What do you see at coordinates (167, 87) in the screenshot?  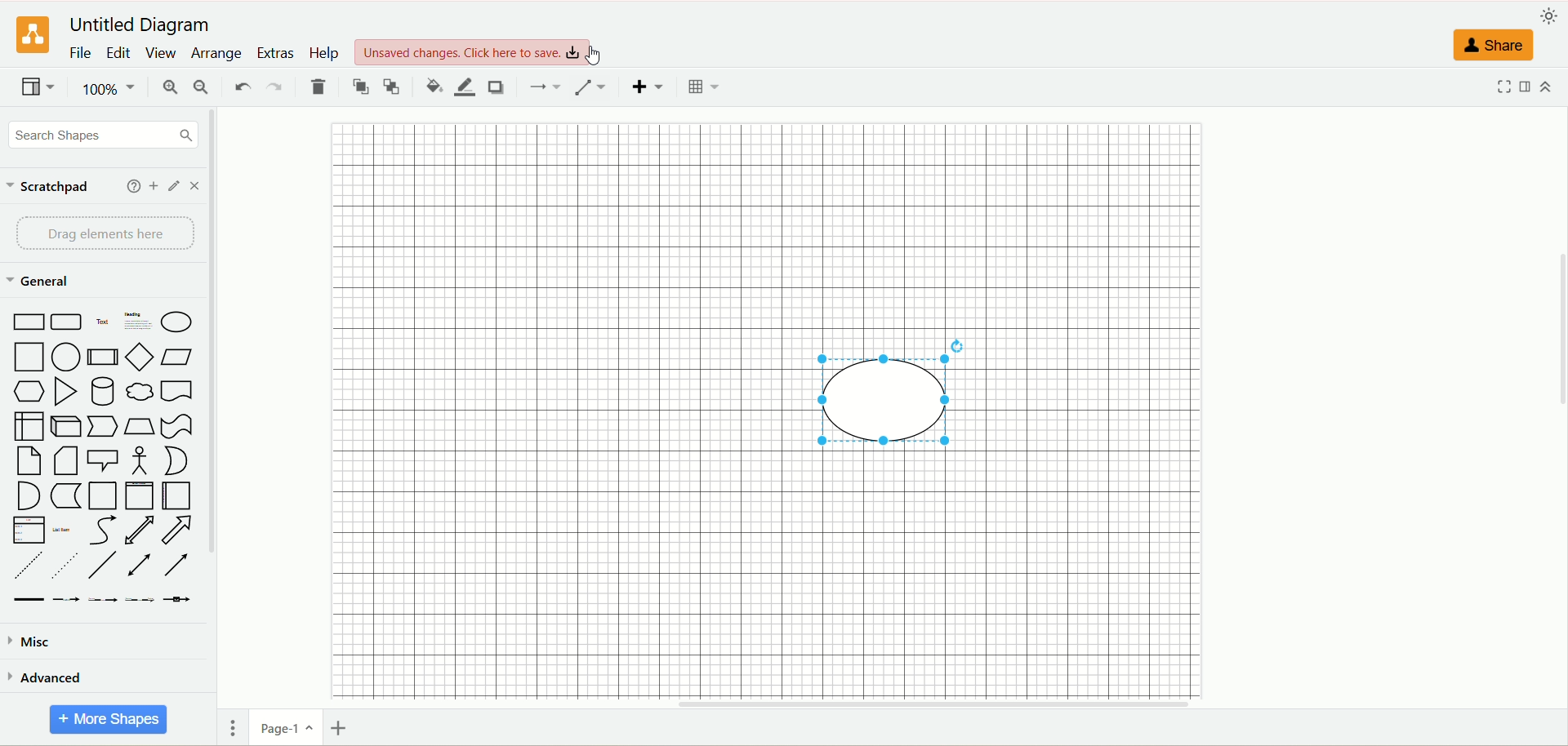 I see `zoom in` at bounding box center [167, 87].